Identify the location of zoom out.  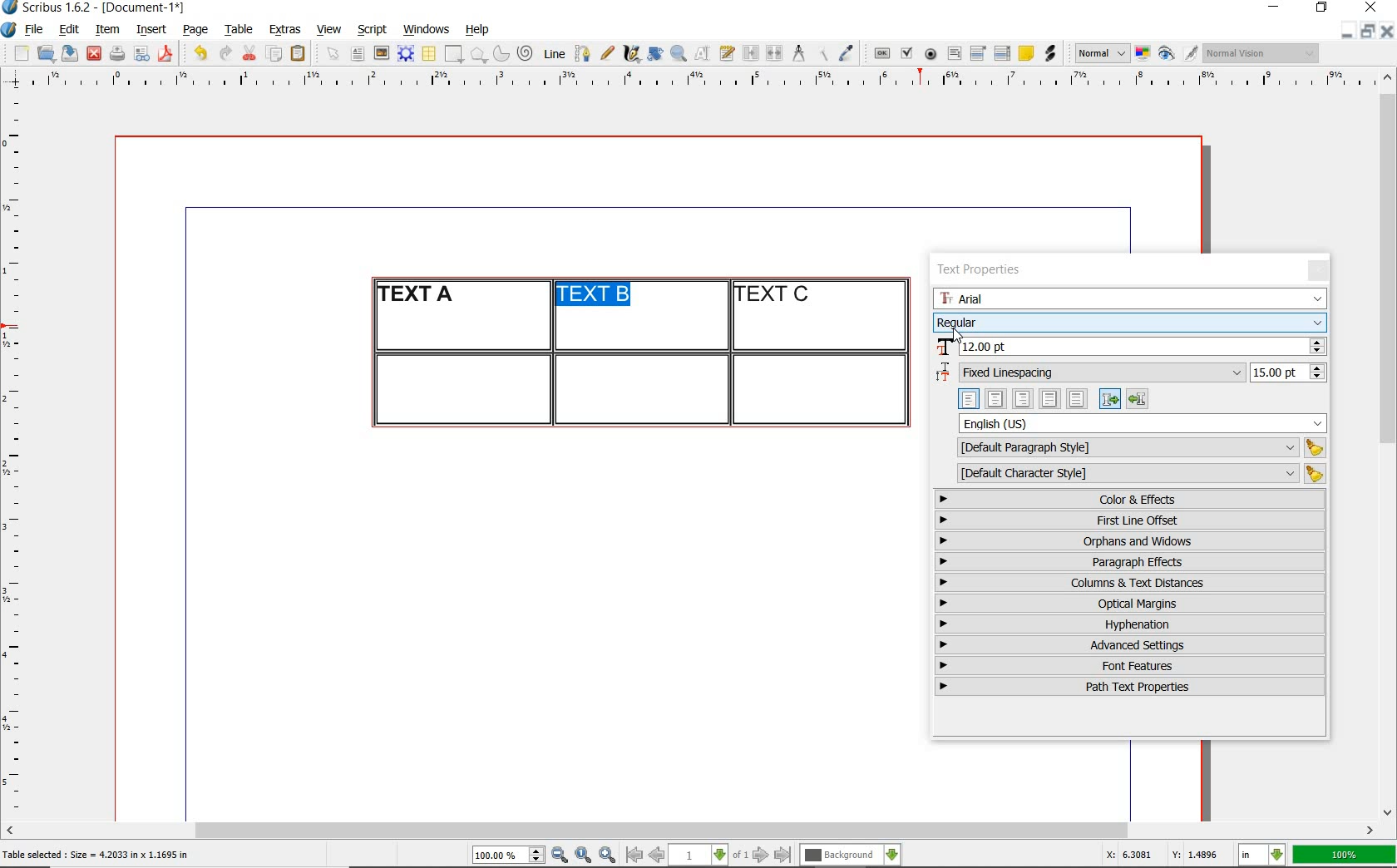
(560, 856).